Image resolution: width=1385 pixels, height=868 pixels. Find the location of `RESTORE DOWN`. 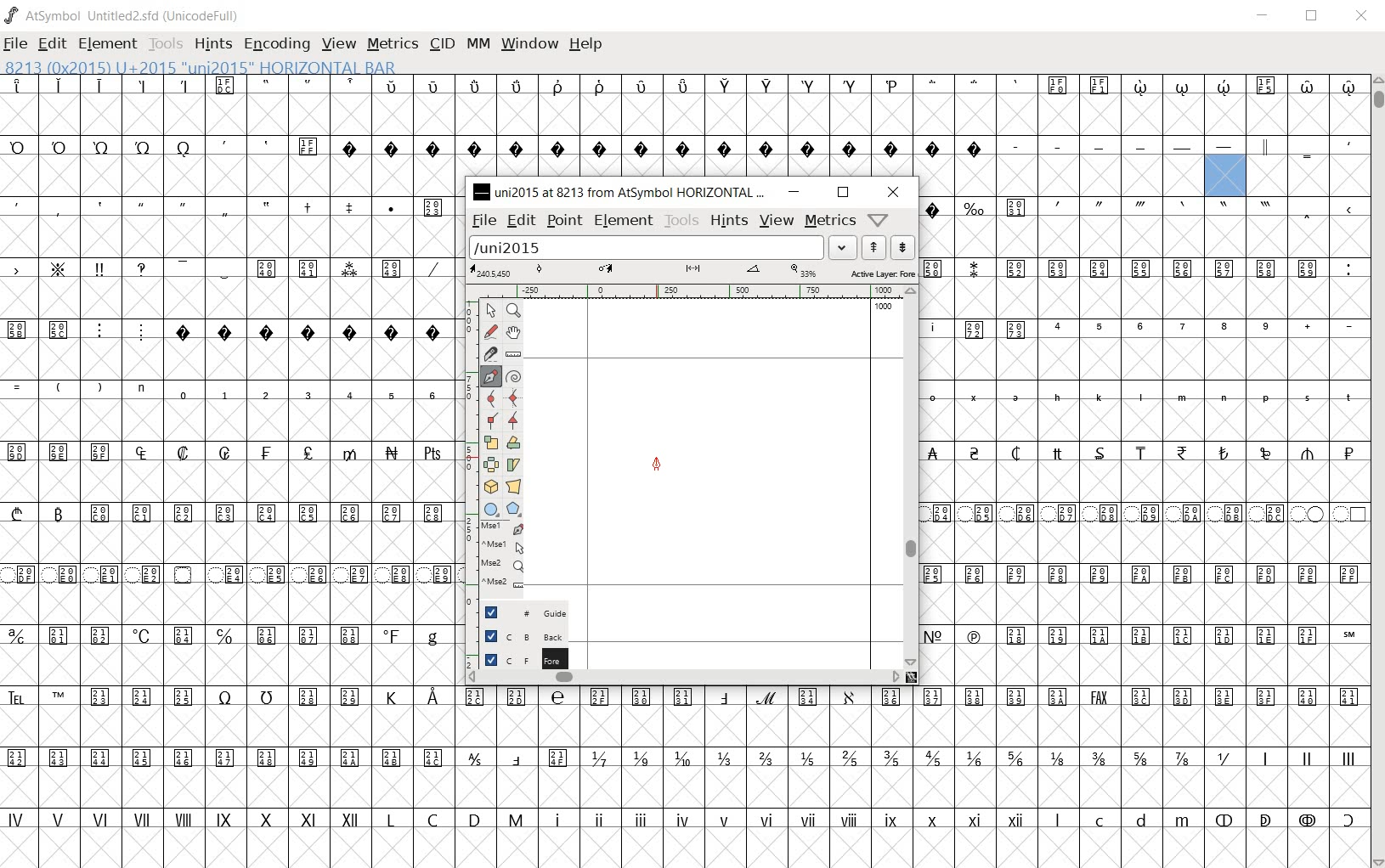

RESTORE DOWN is located at coordinates (1314, 17).